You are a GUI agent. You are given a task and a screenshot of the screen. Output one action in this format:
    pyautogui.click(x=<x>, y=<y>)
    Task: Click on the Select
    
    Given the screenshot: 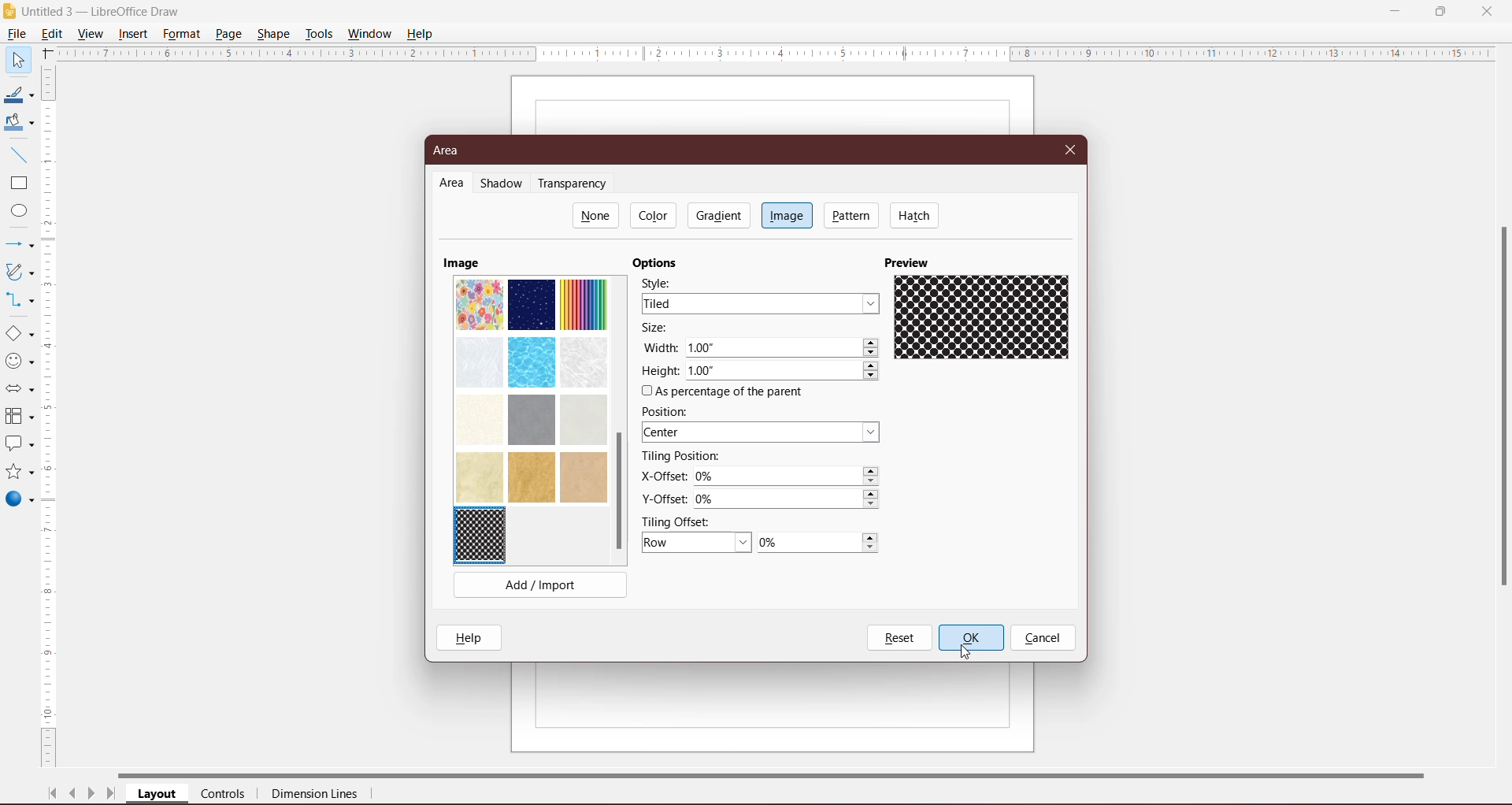 What is the action you would take?
    pyautogui.click(x=17, y=59)
    